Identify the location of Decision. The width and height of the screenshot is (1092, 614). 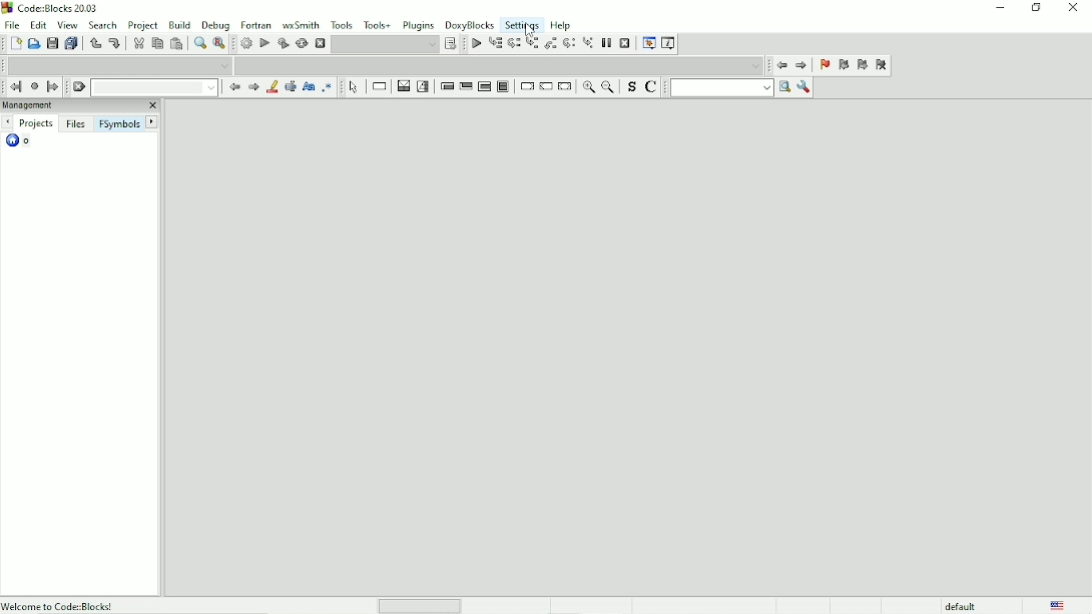
(404, 86).